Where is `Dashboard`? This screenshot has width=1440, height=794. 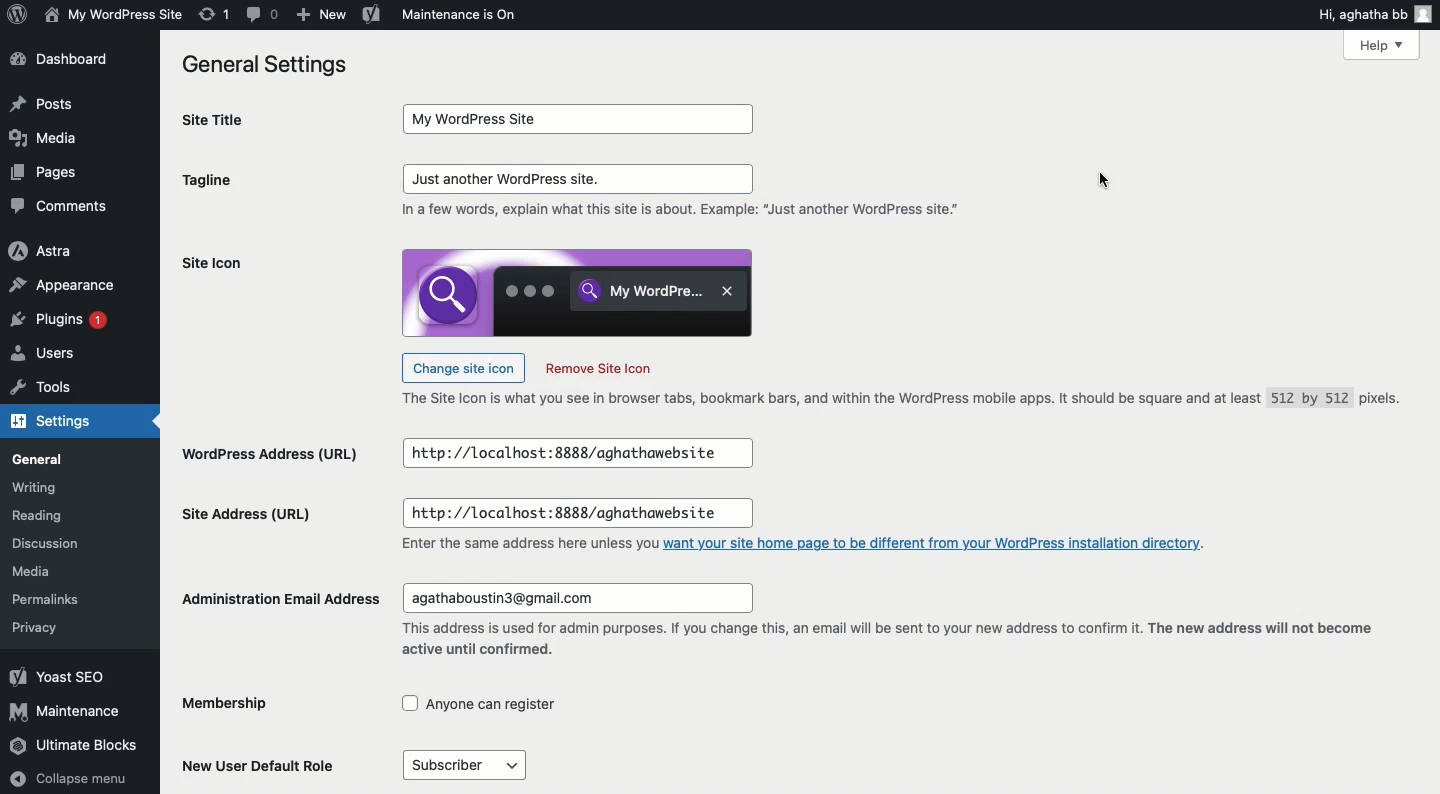
Dashboard is located at coordinates (67, 61).